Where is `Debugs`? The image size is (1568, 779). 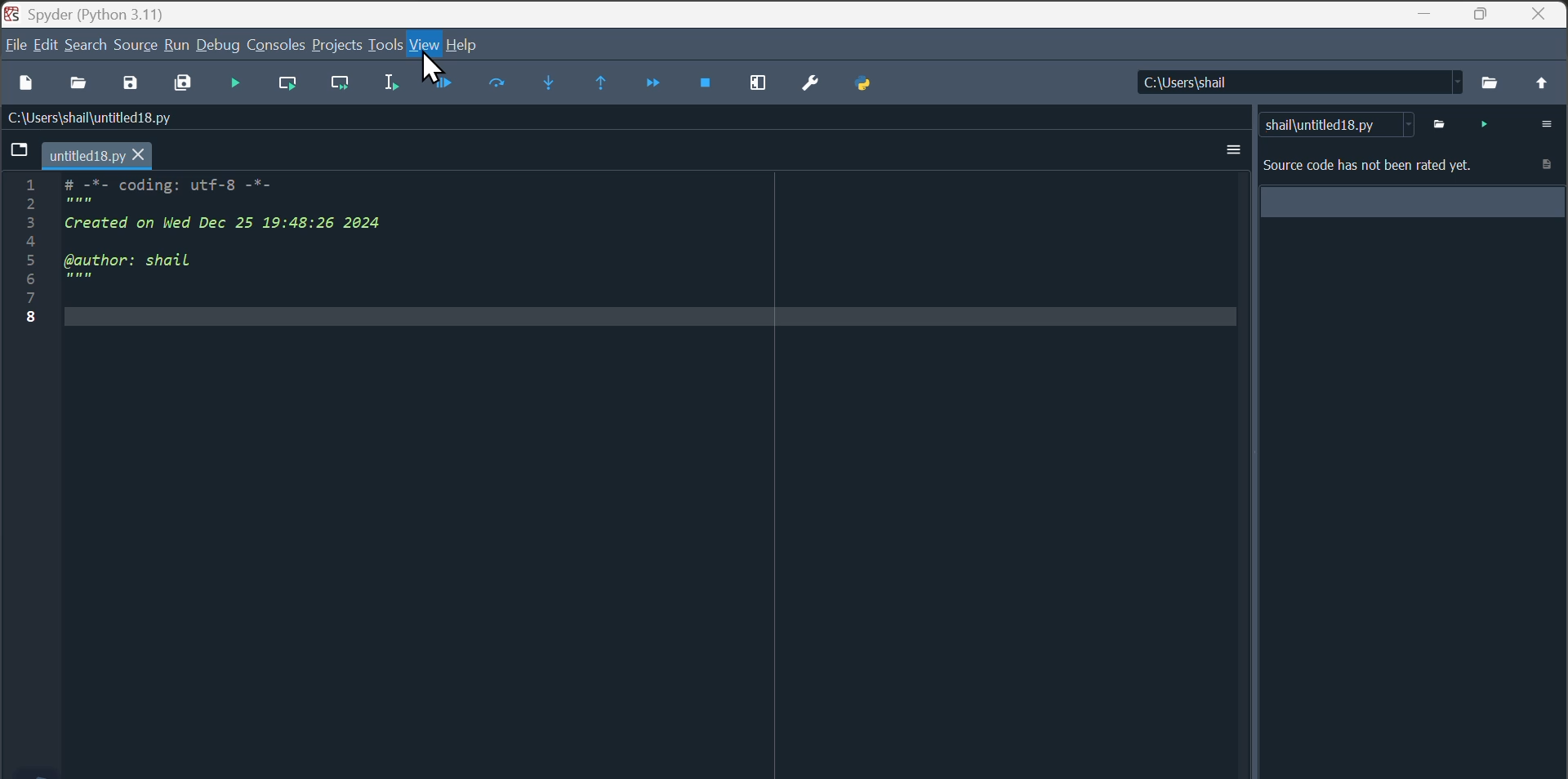
Debugs is located at coordinates (219, 42).